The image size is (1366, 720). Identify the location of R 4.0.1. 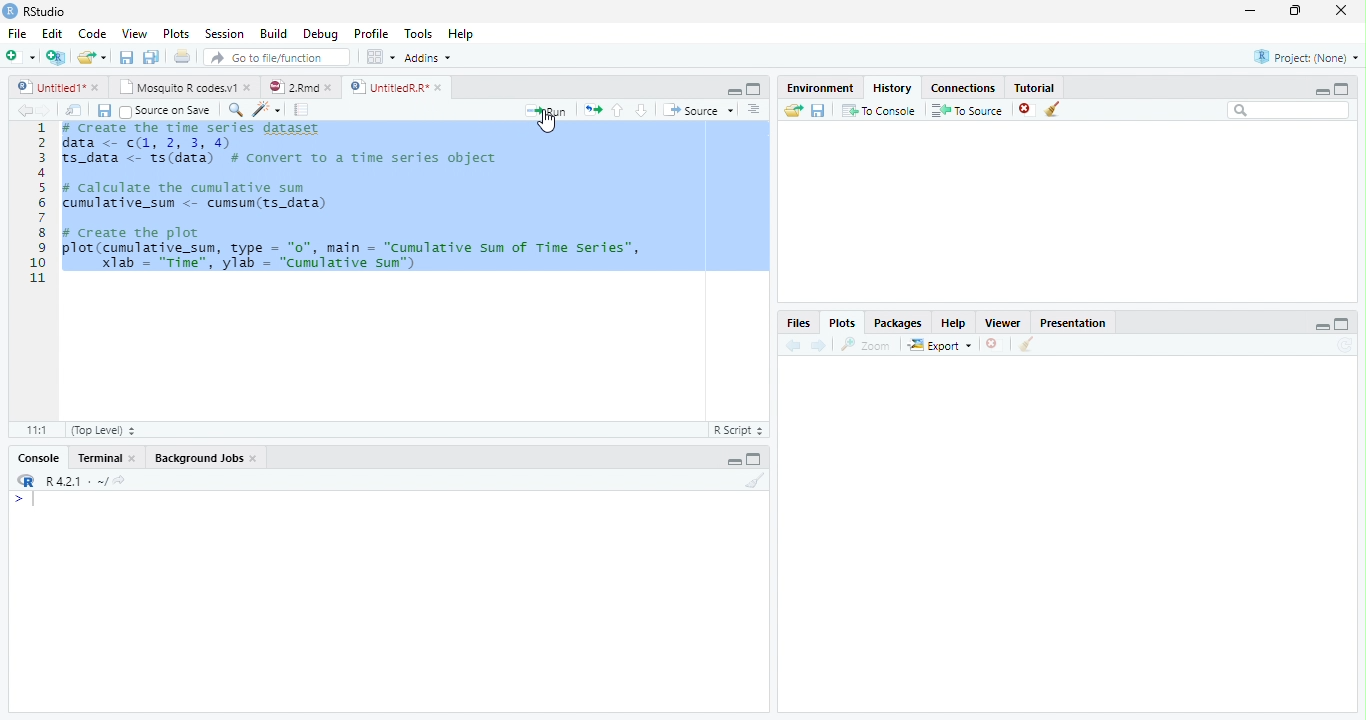
(78, 479).